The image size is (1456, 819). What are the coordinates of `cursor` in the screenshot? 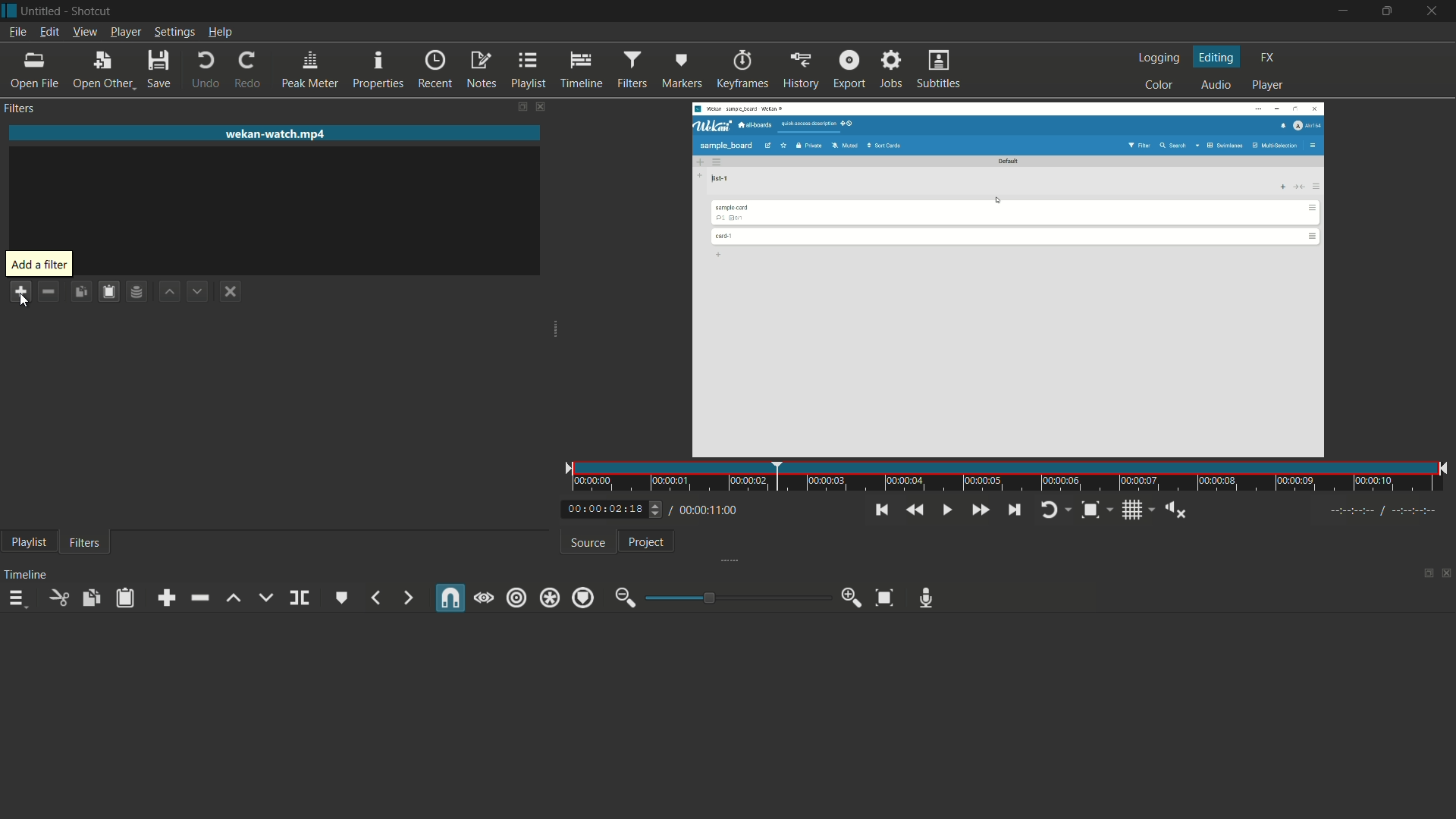 It's located at (23, 300).